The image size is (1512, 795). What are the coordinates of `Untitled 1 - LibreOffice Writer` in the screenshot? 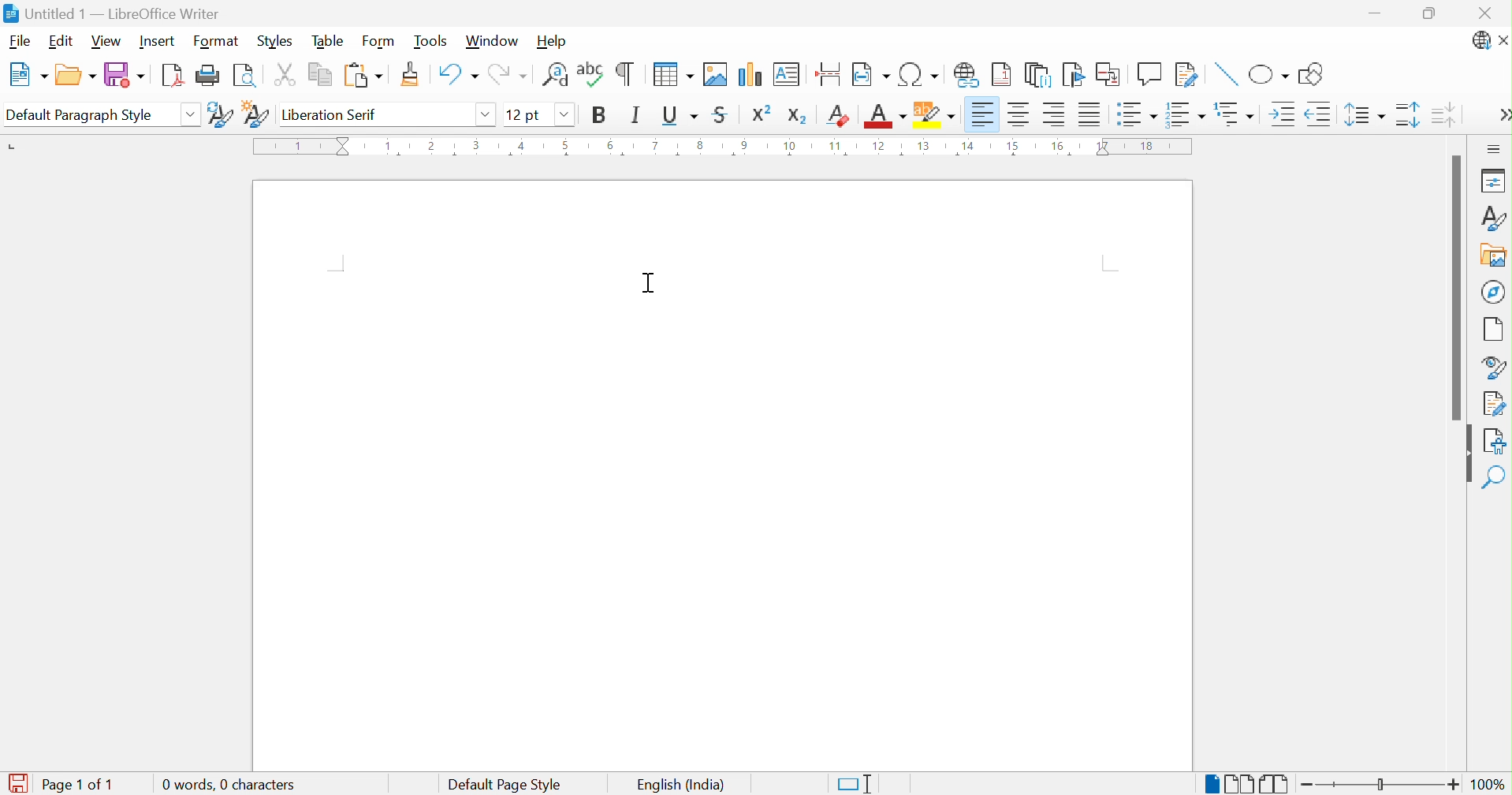 It's located at (114, 13).